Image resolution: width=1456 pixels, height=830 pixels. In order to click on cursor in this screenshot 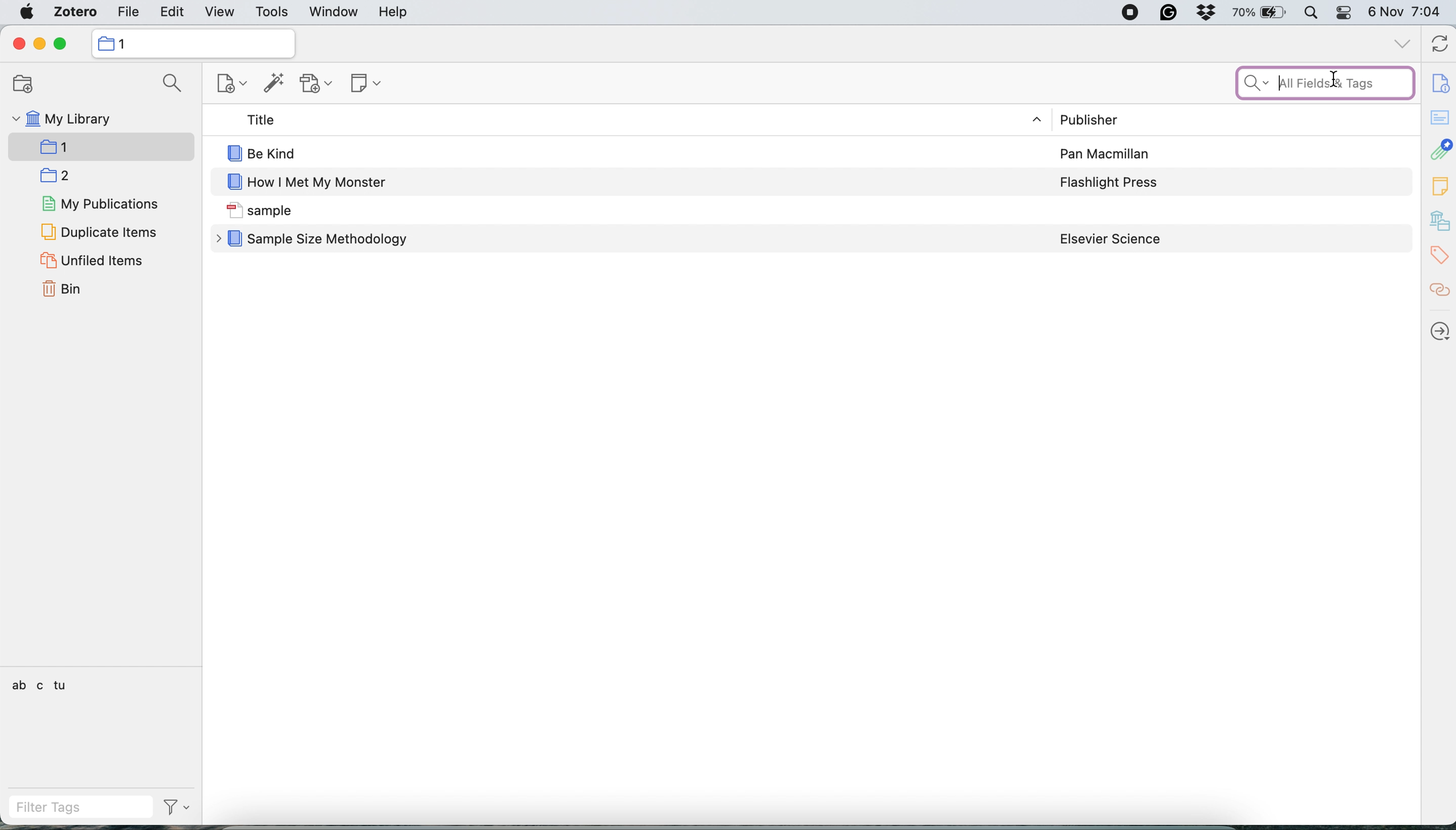, I will do `click(1340, 78)`.